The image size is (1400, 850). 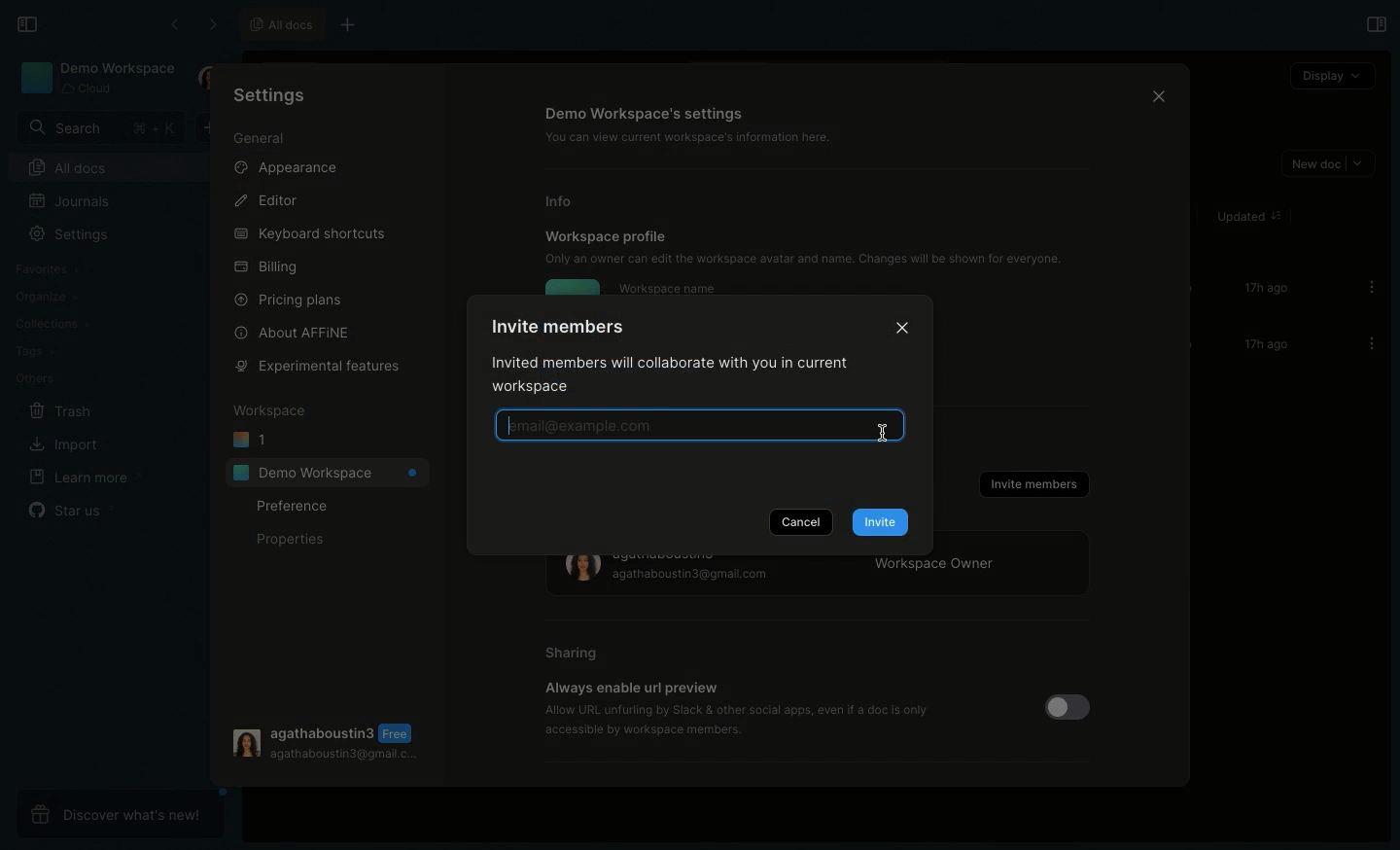 What do you see at coordinates (647, 113) in the screenshot?
I see `Demo workspace's settings` at bounding box center [647, 113].